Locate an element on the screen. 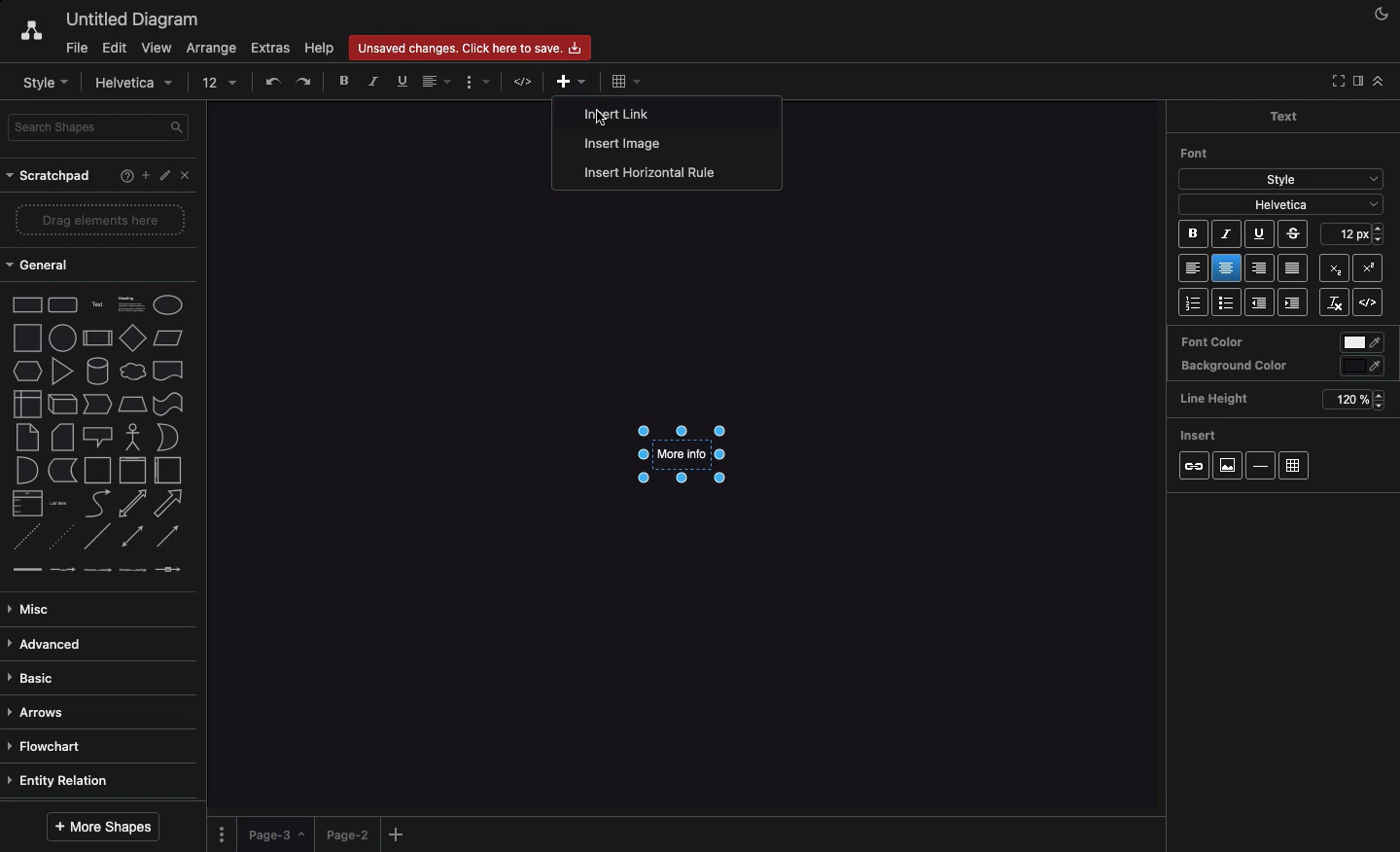  cloud is located at coordinates (133, 372).